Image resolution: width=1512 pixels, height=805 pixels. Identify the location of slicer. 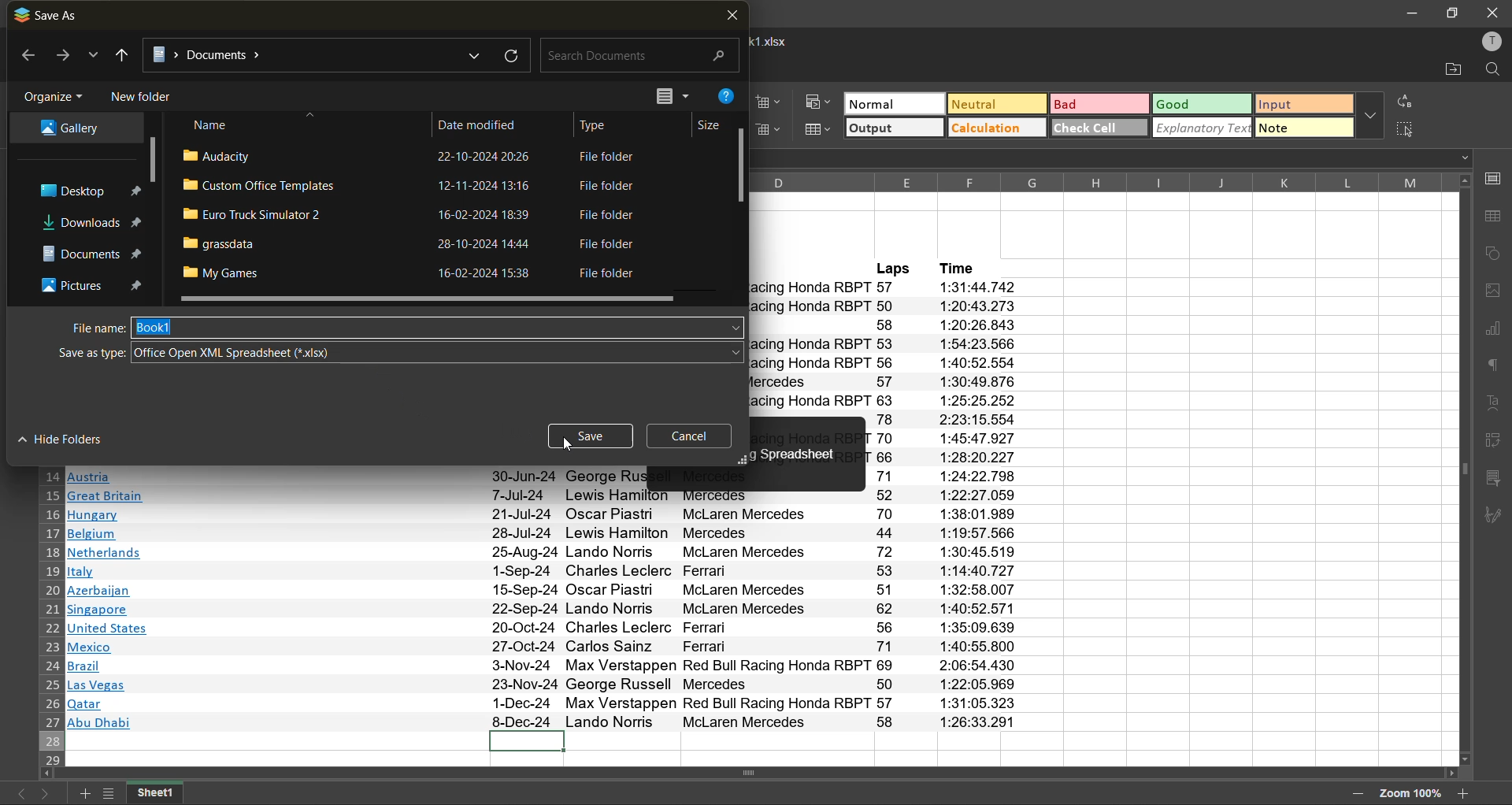
(1498, 480).